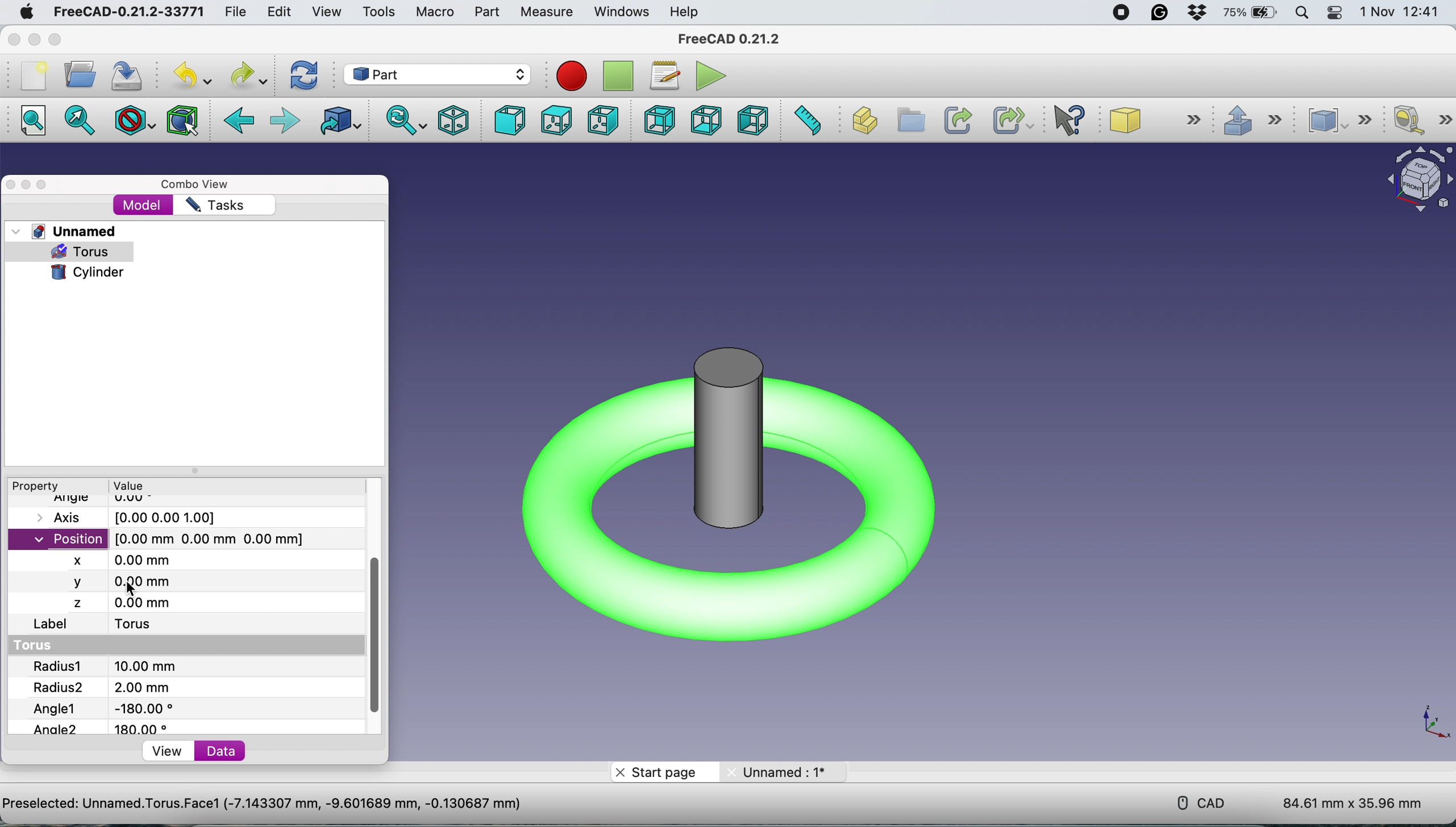  What do you see at coordinates (39, 646) in the screenshot?
I see `torus` at bounding box center [39, 646].